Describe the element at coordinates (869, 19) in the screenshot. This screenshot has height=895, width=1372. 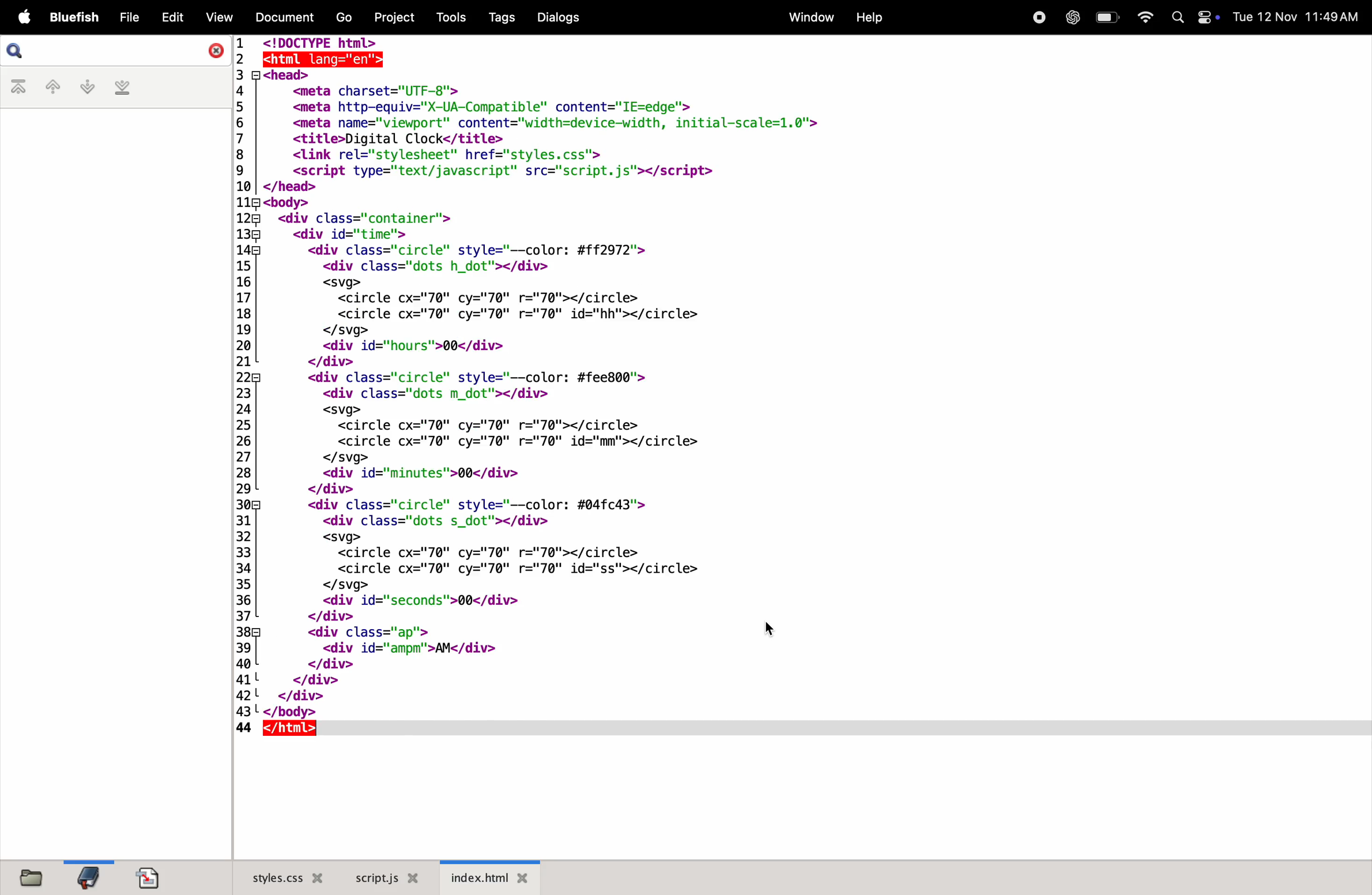
I see `help` at that location.